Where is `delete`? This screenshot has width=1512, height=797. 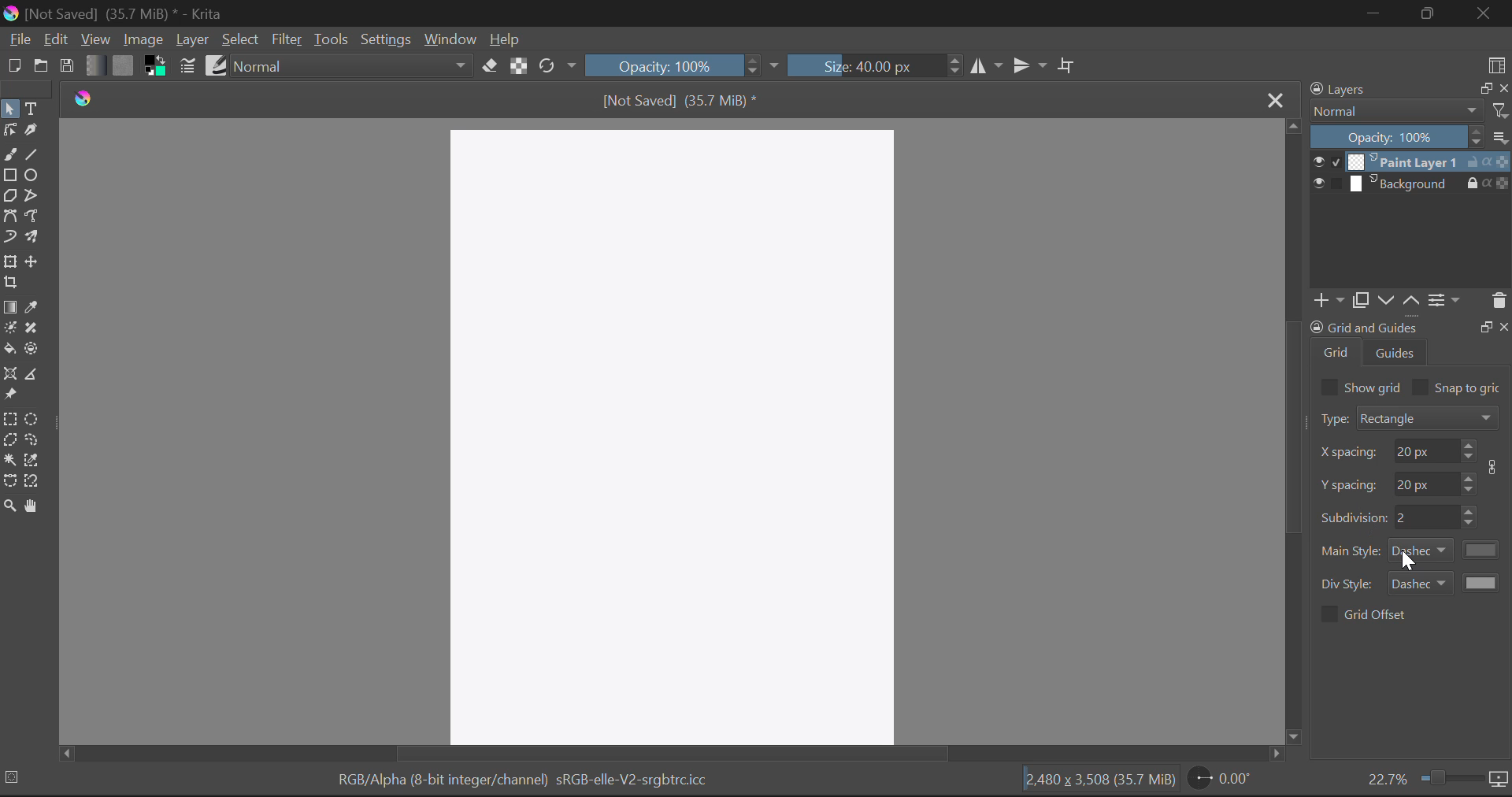
delete is located at coordinates (1498, 301).